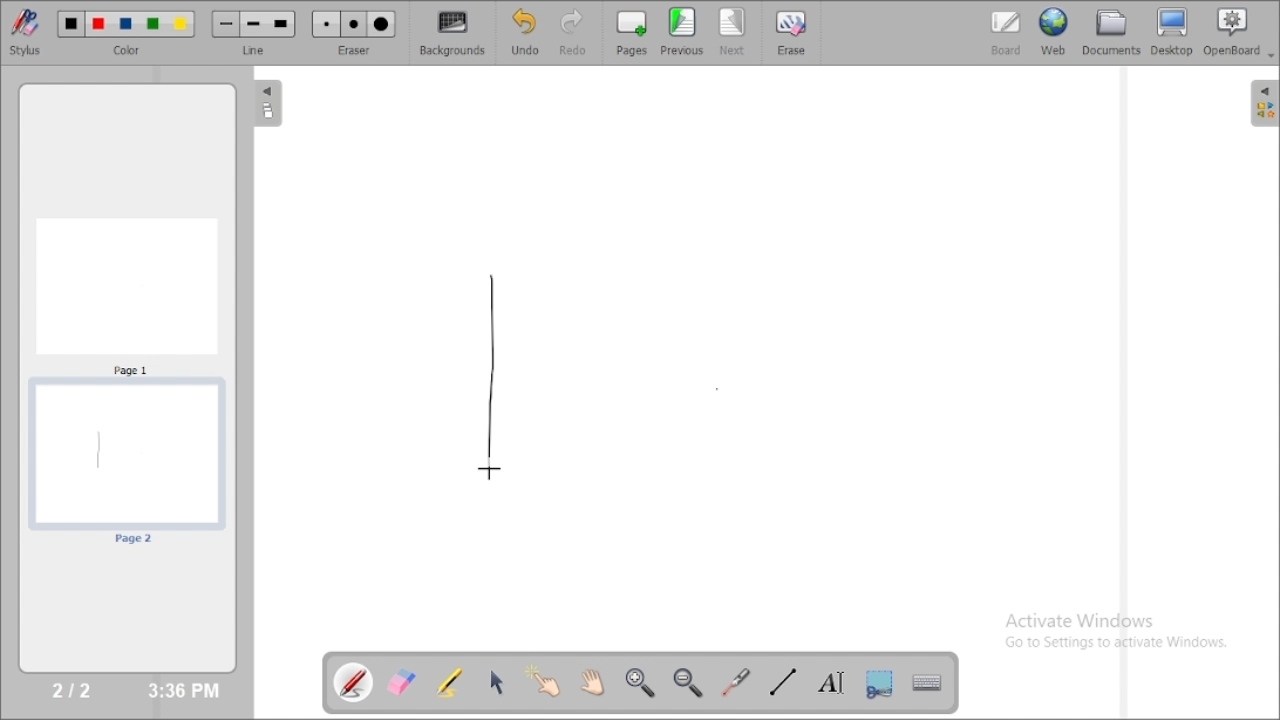  Describe the element at coordinates (25, 31) in the screenshot. I see `stylus` at that location.